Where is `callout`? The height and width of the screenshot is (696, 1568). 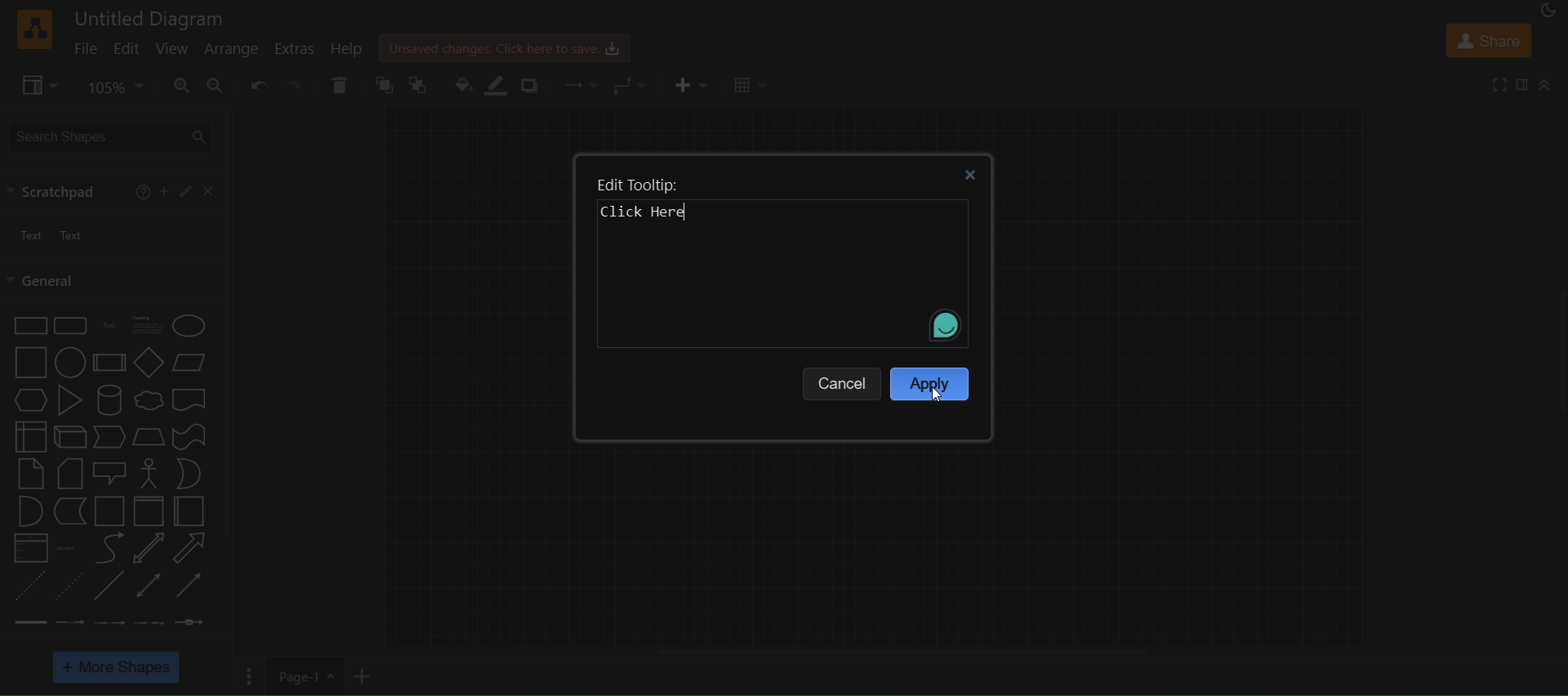
callout is located at coordinates (148, 474).